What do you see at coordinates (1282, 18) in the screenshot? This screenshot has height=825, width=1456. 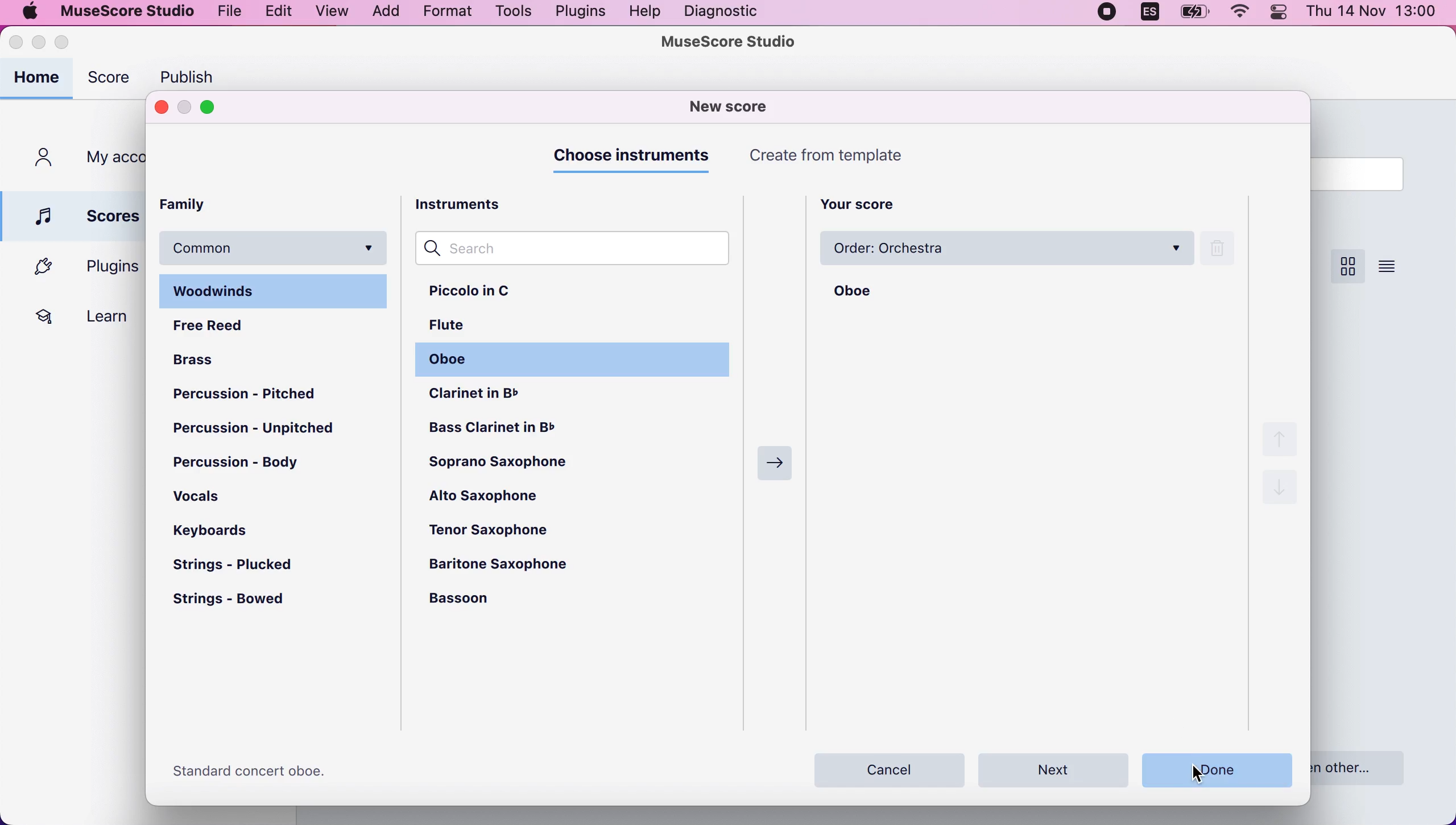 I see `panel control` at bounding box center [1282, 18].